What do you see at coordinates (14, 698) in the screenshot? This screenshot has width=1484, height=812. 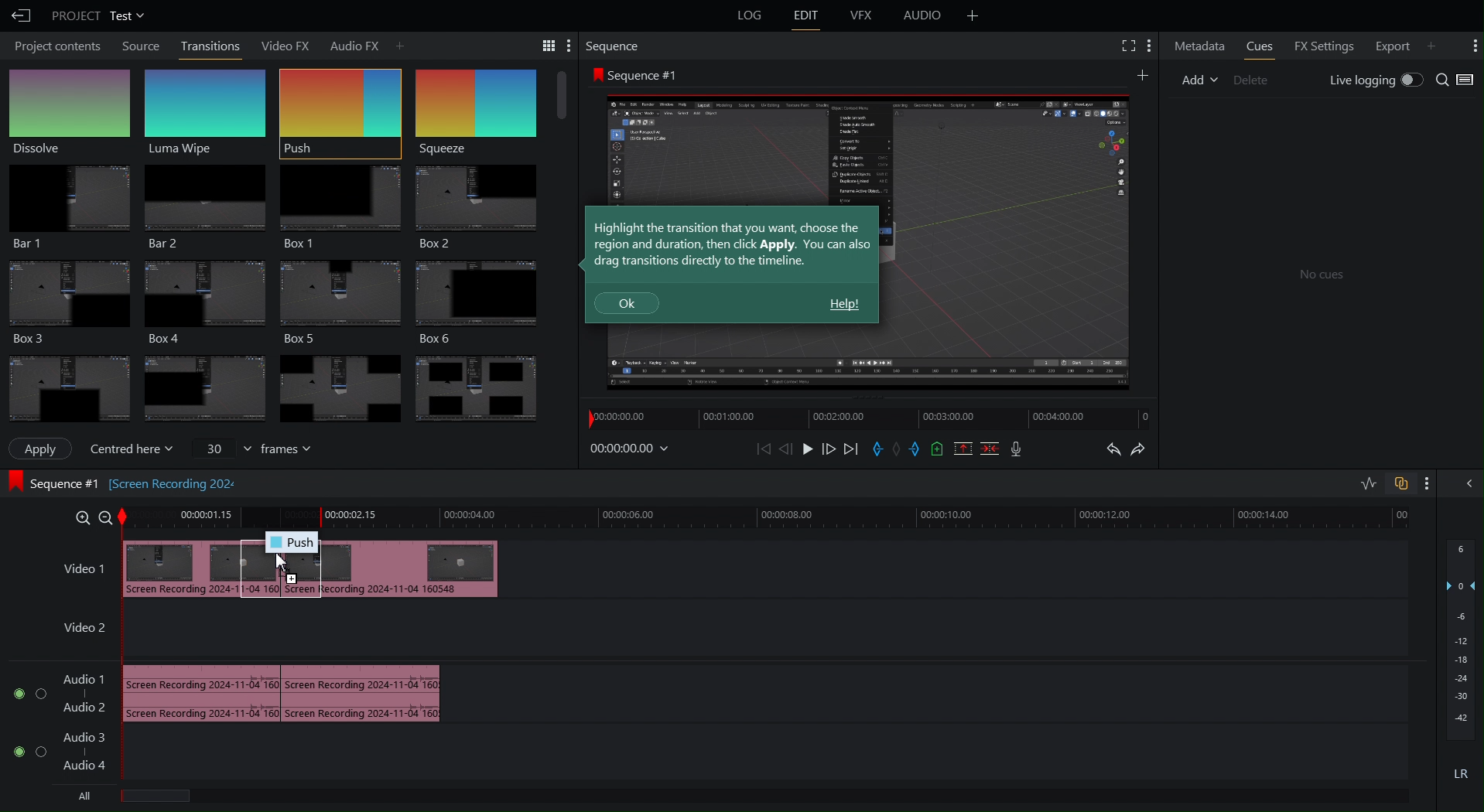 I see `toggle` at bounding box center [14, 698].